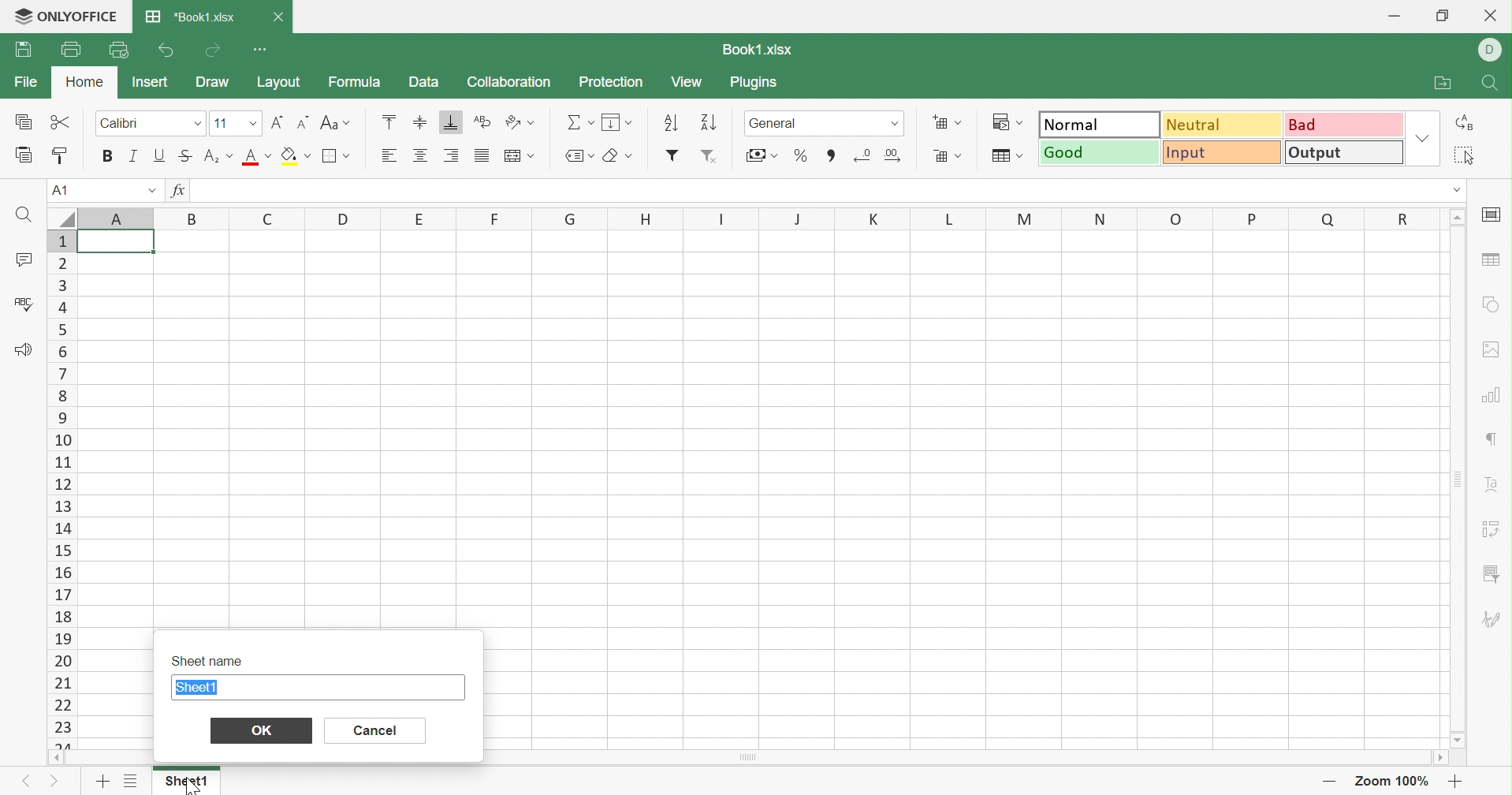  What do you see at coordinates (687, 81) in the screenshot?
I see `View` at bounding box center [687, 81].